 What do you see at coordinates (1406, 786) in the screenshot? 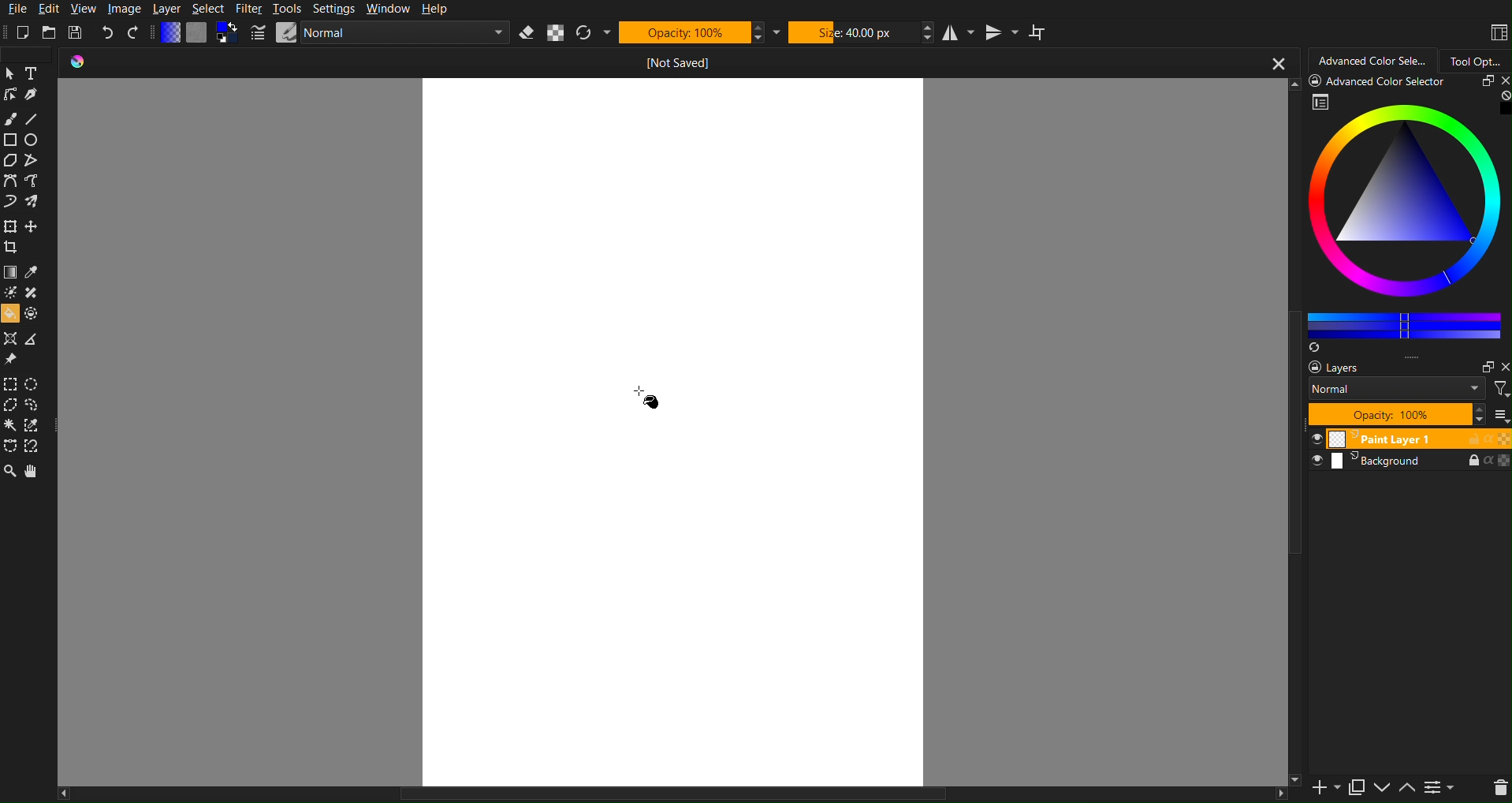
I see `Send Up` at bounding box center [1406, 786].